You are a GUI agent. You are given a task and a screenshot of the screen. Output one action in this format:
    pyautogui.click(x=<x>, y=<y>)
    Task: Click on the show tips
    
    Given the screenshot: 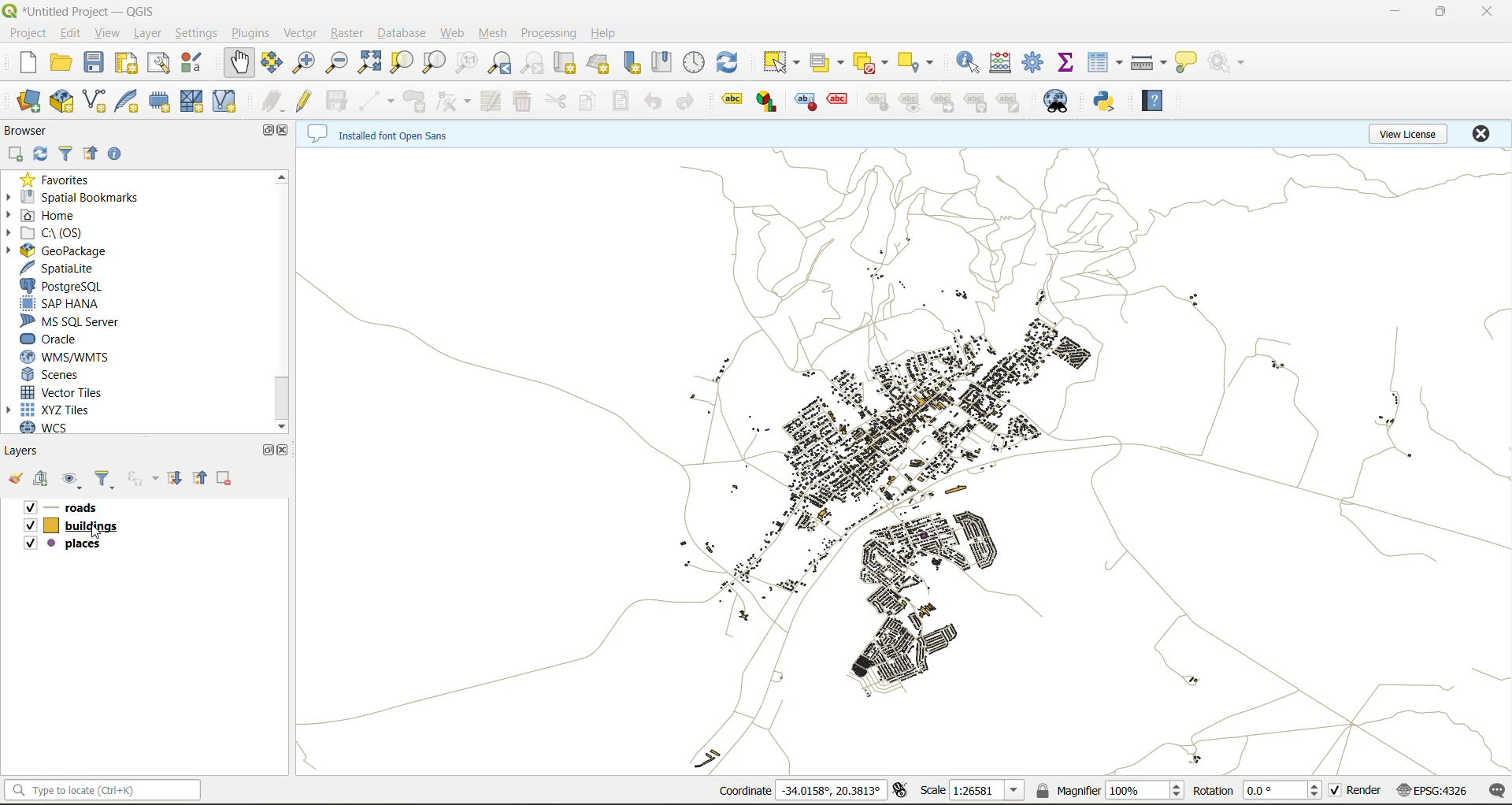 What is the action you would take?
    pyautogui.click(x=1186, y=64)
    